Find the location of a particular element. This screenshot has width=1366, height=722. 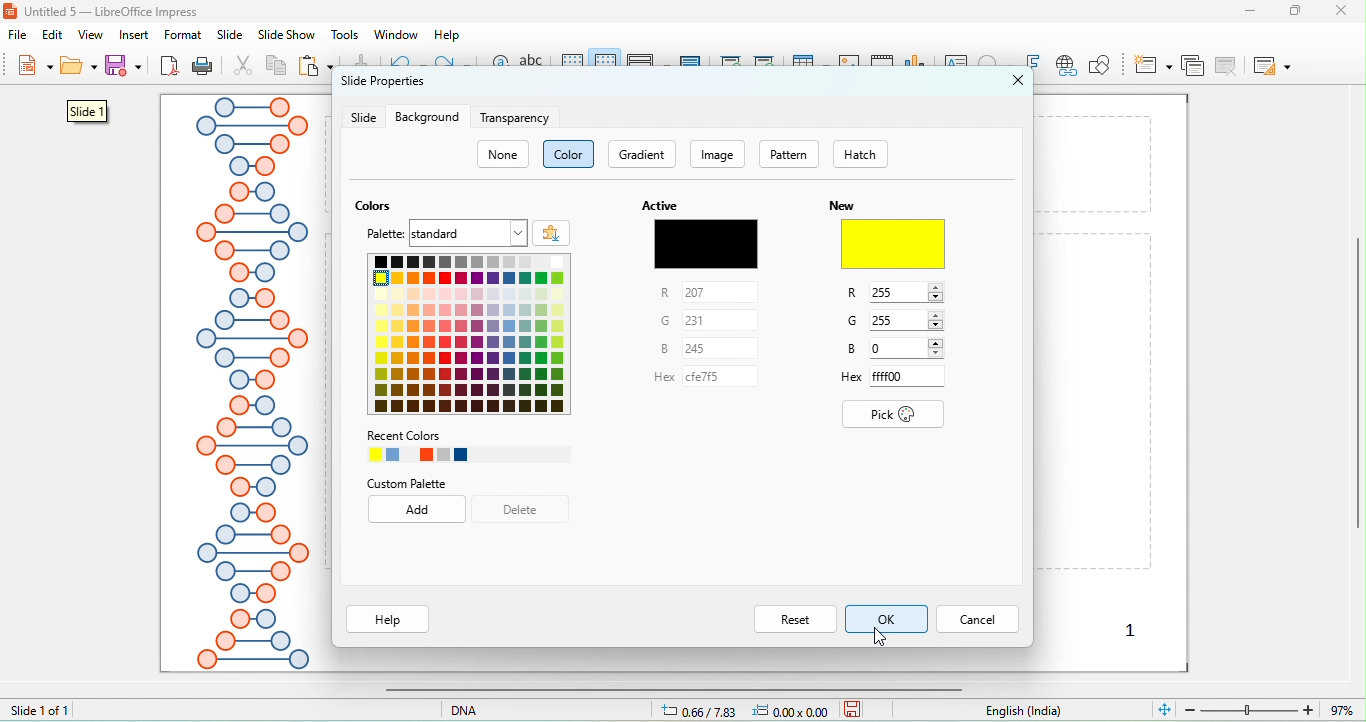

close is located at coordinates (1019, 80).